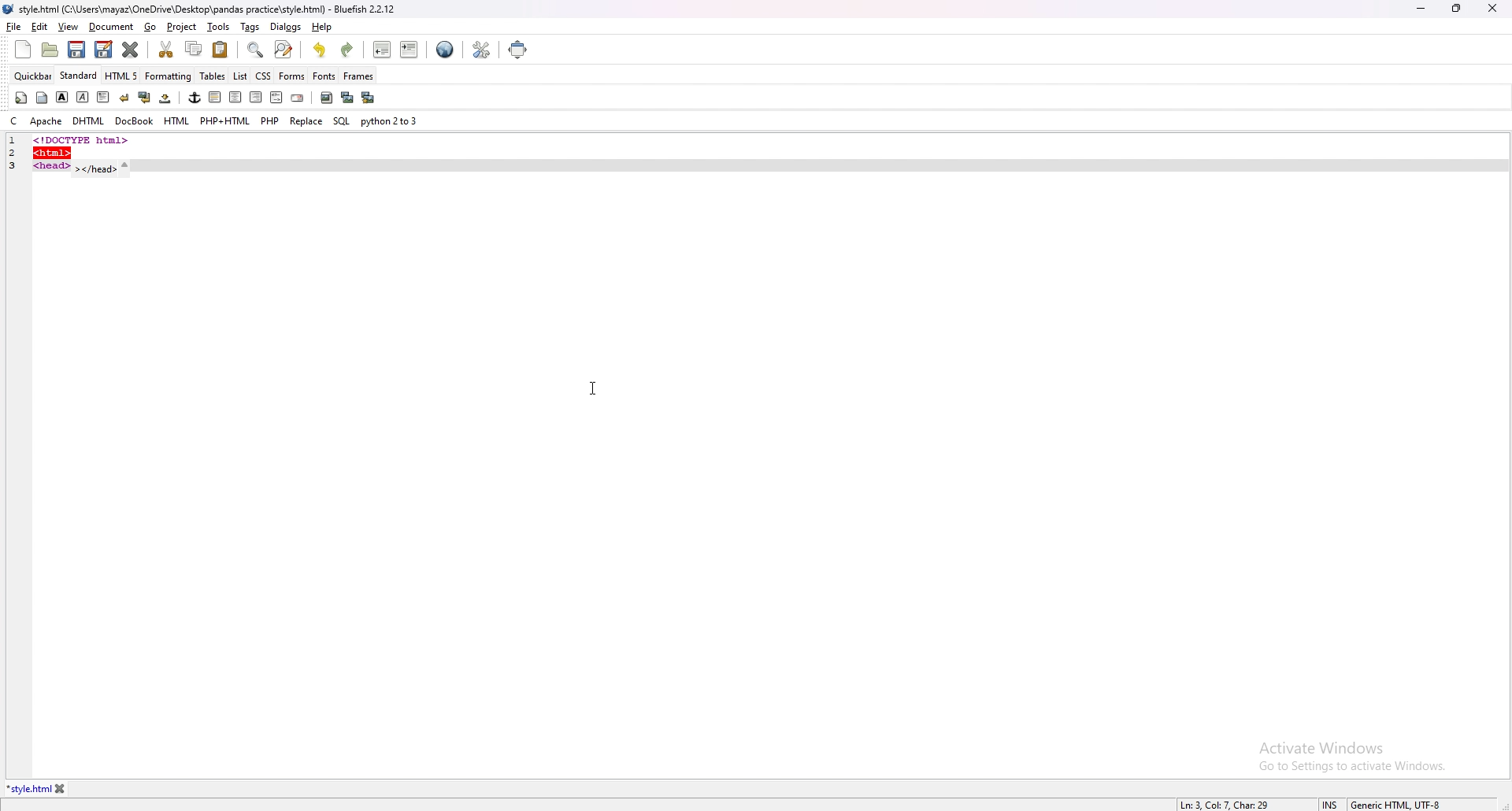  Describe the element at coordinates (1421, 9) in the screenshot. I see `minimize` at that location.